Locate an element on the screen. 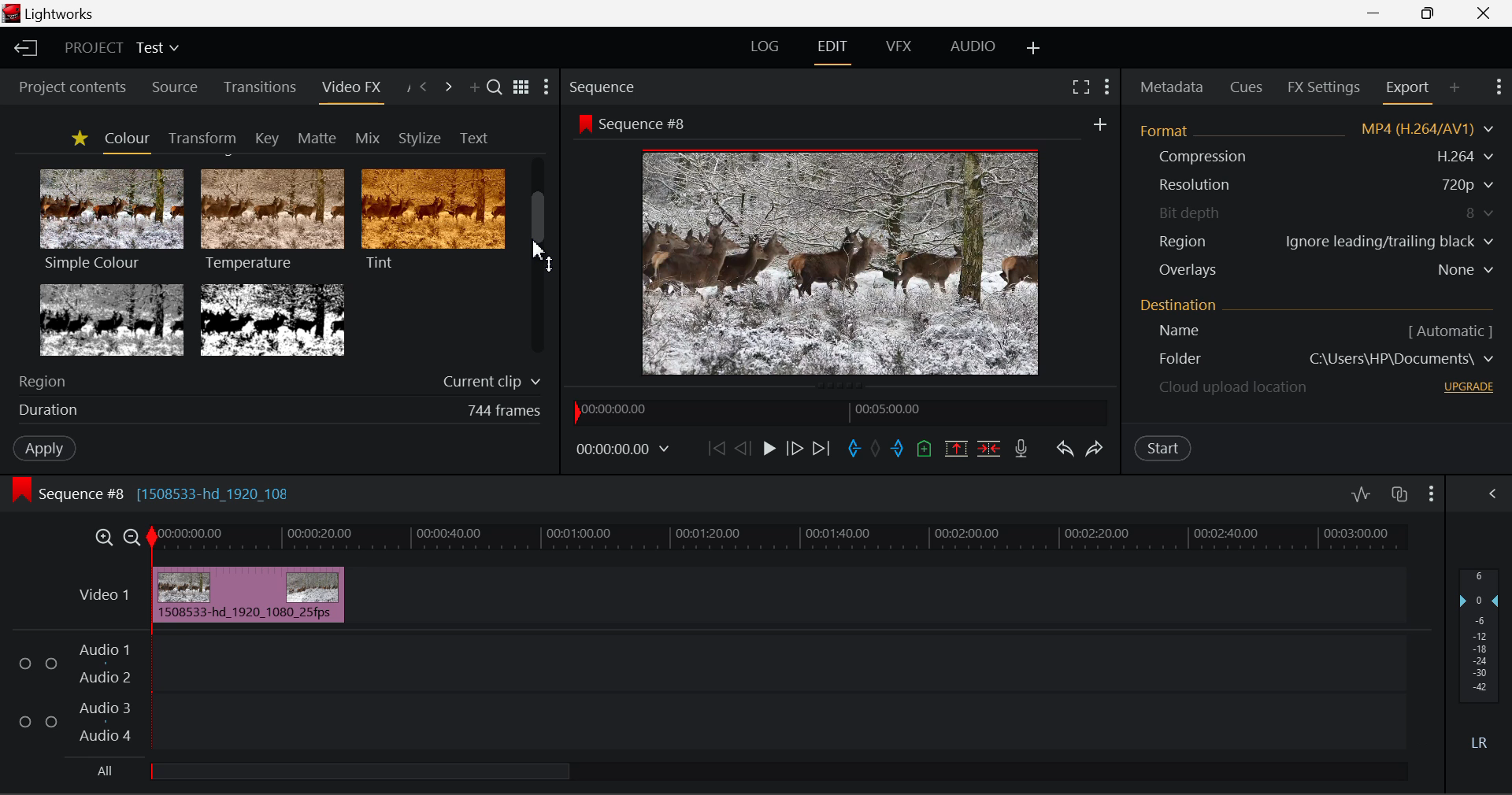 The width and height of the screenshot is (1512, 795). Sequence #8 [1508533-hd_1920_108 is located at coordinates (169, 490).